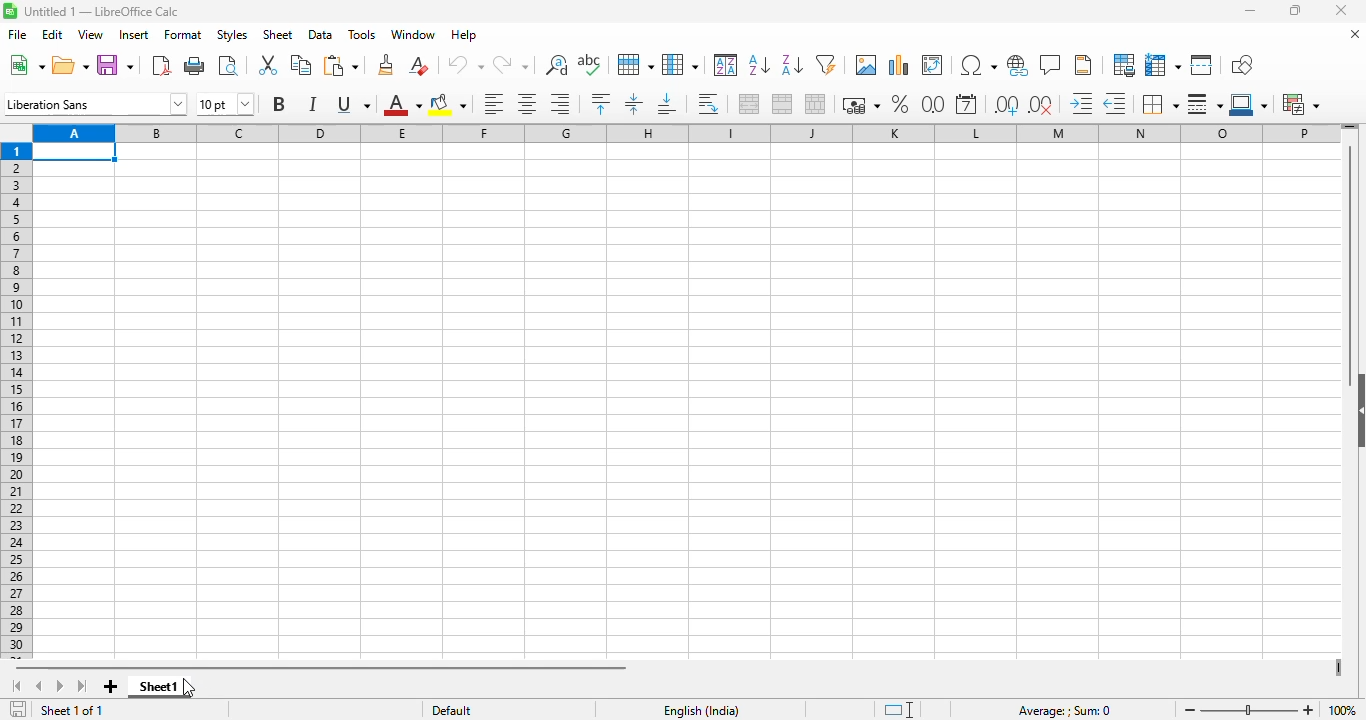  What do you see at coordinates (1064, 711) in the screenshot?
I see `Average: ; Sum: 0` at bounding box center [1064, 711].